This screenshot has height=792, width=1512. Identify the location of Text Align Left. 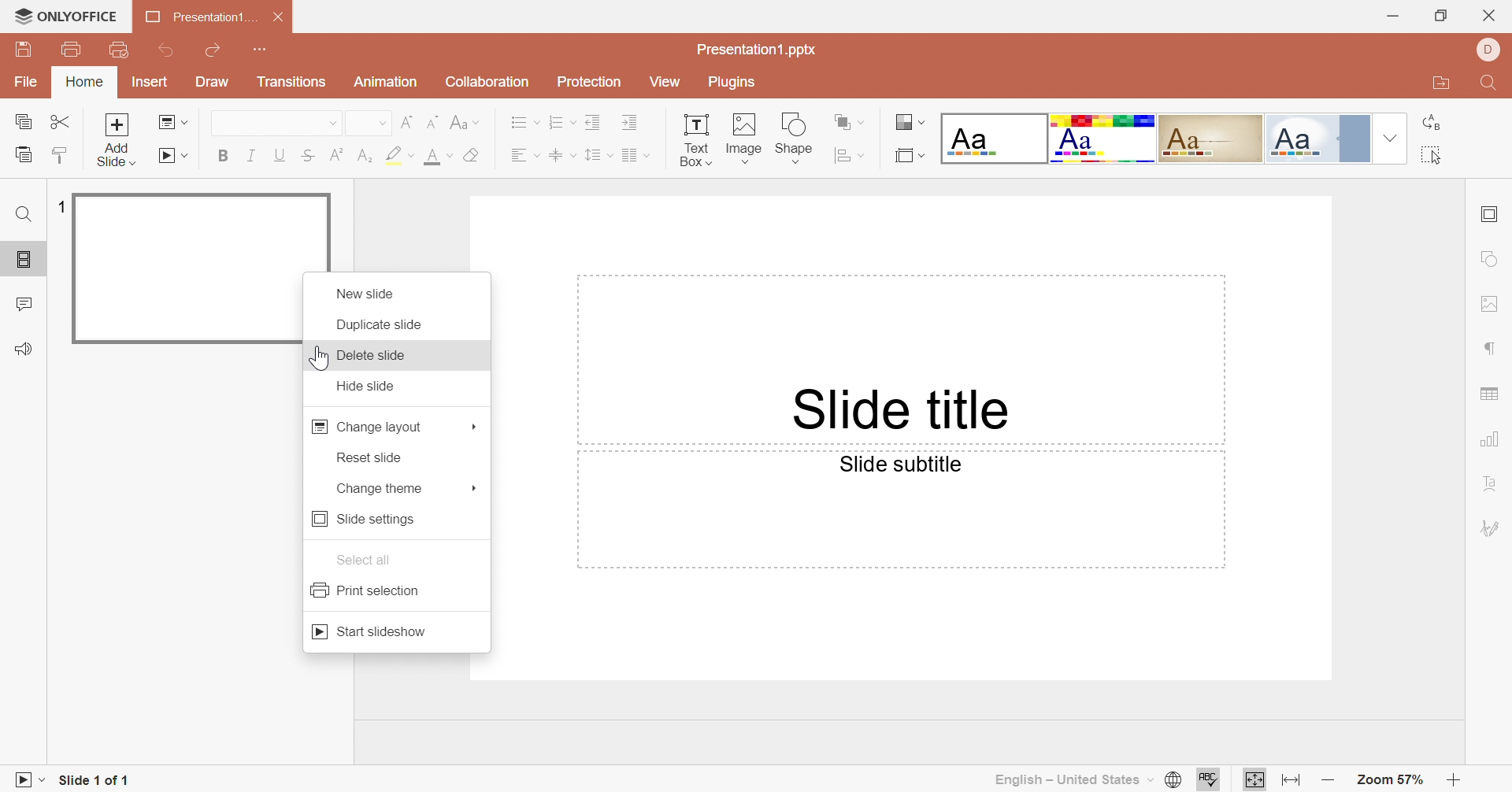
(517, 157).